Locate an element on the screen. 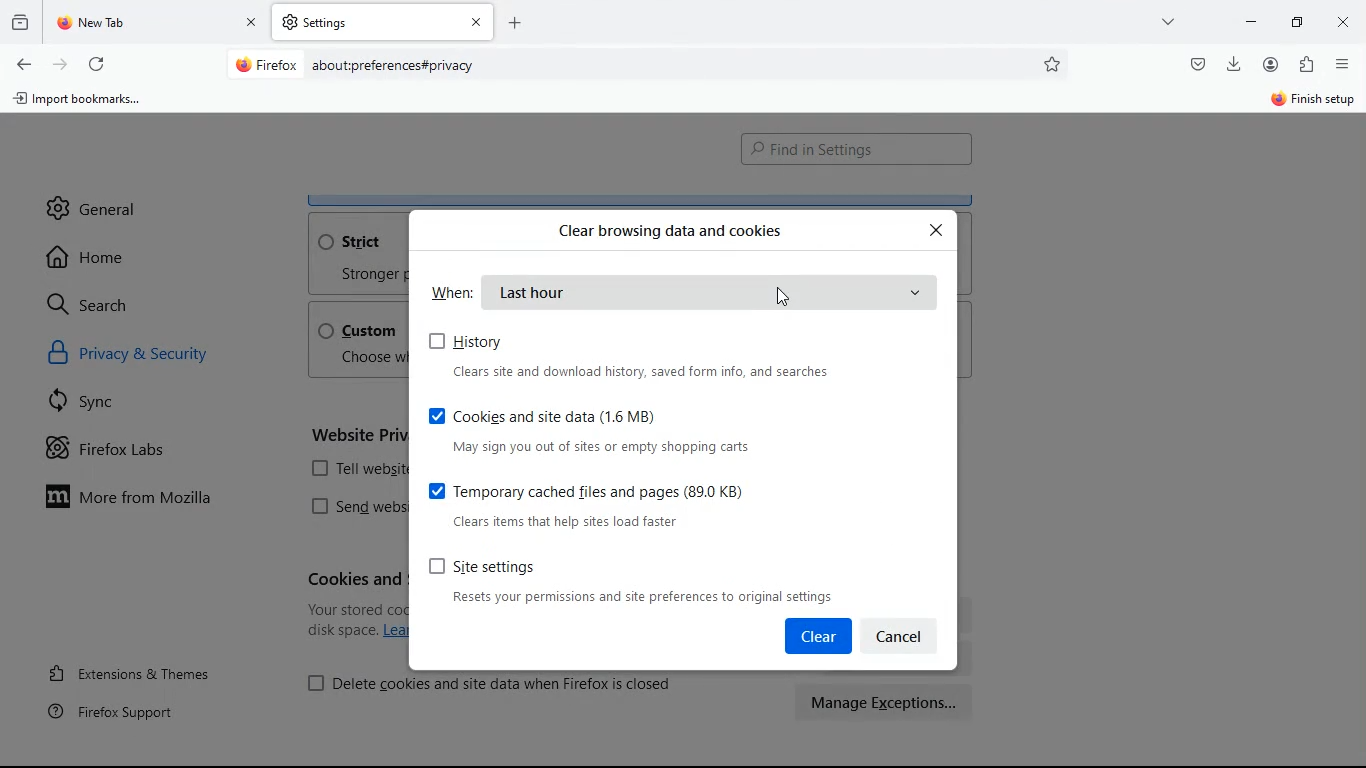 The width and height of the screenshot is (1366, 768). sign in is located at coordinates (1311, 101).